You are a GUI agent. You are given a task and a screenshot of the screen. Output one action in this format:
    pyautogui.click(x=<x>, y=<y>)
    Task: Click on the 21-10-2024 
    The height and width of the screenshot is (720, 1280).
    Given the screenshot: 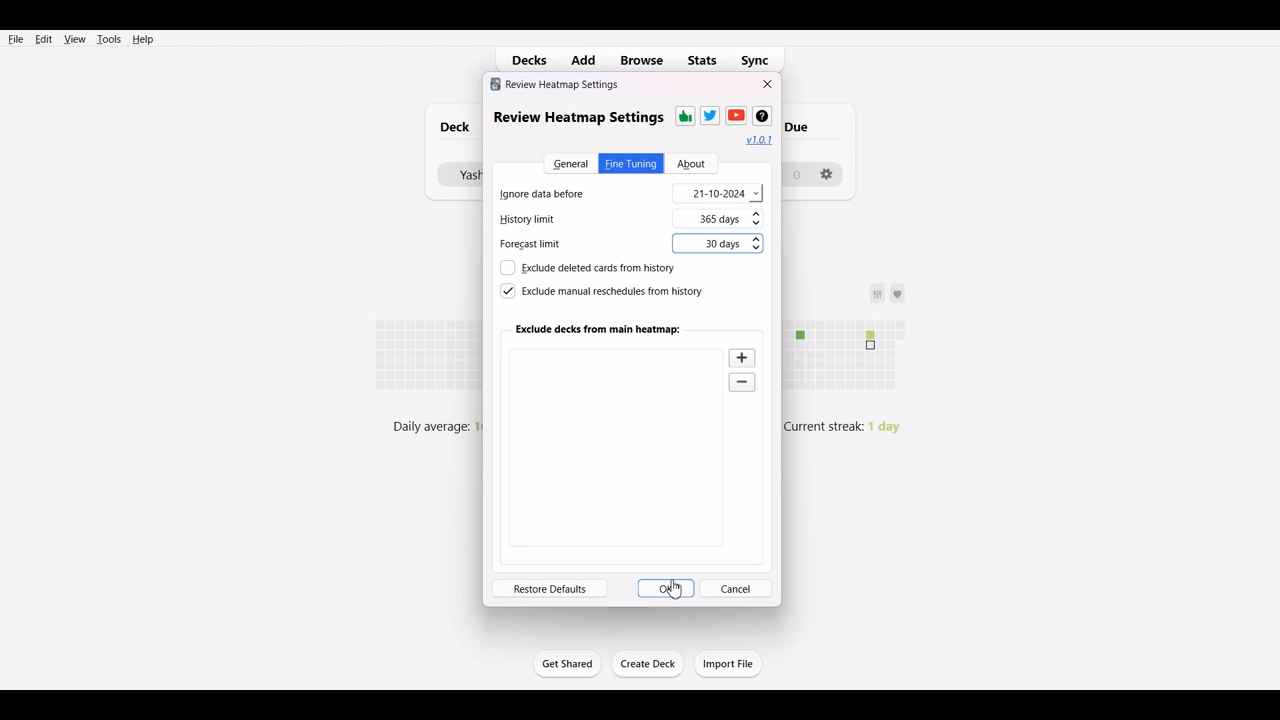 What is the action you would take?
    pyautogui.click(x=718, y=193)
    